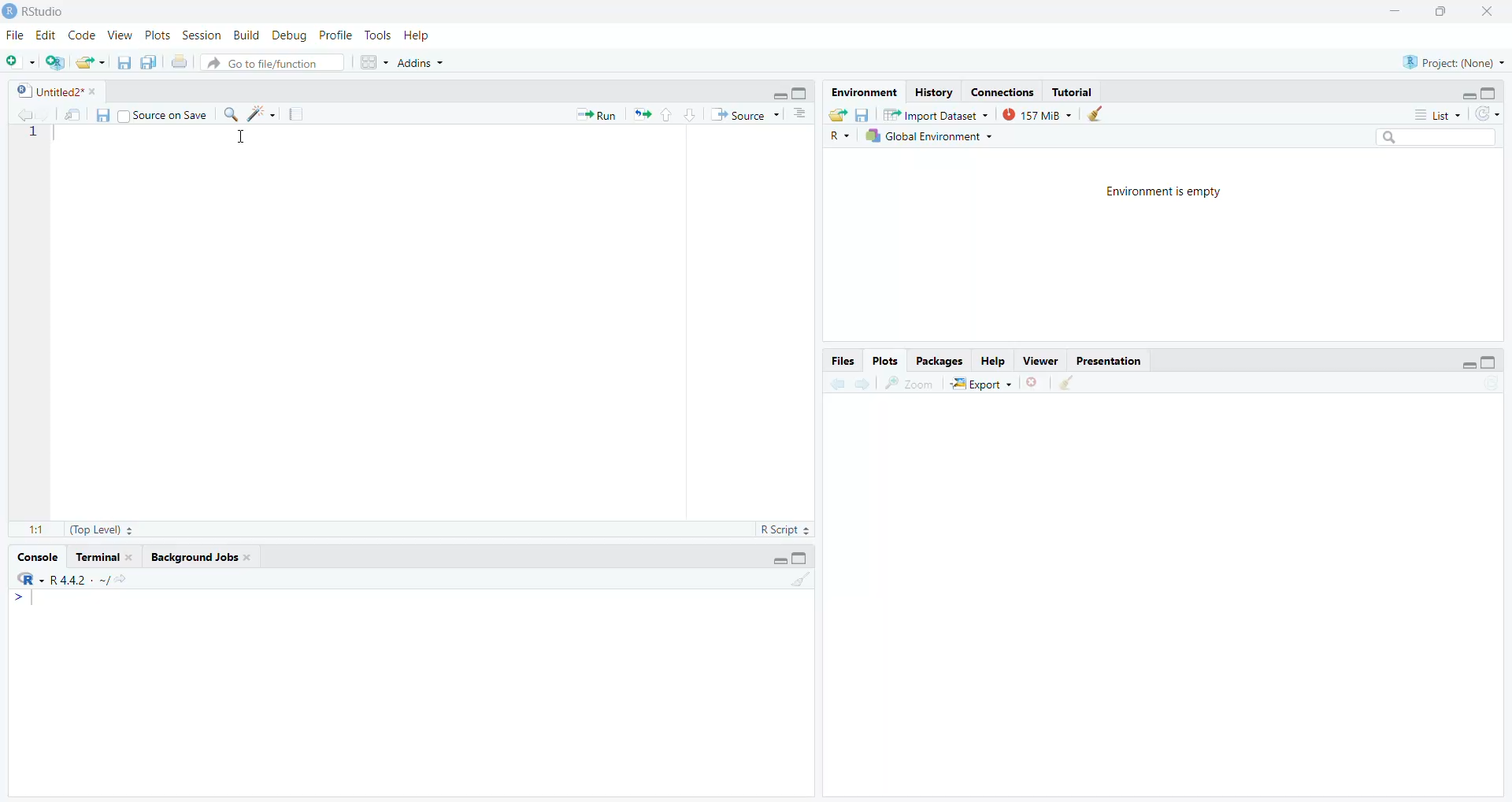  Describe the element at coordinates (1043, 360) in the screenshot. I see `Viewer` at that location.